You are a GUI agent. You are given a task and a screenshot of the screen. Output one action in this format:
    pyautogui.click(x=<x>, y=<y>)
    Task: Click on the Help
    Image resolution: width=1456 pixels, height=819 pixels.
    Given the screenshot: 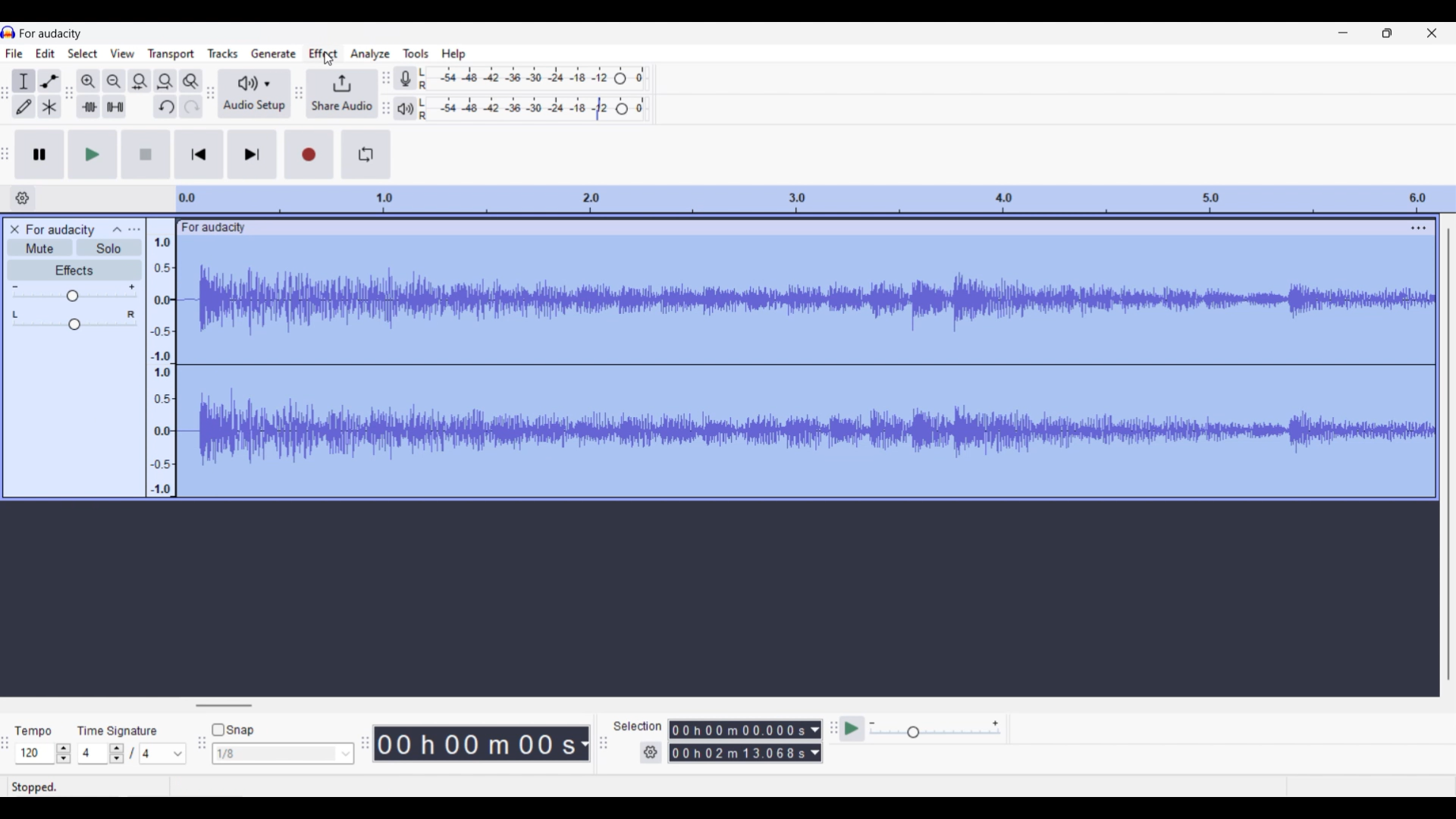 What is the action you would take?
    pyautogui.click(x=454, y=55)
    